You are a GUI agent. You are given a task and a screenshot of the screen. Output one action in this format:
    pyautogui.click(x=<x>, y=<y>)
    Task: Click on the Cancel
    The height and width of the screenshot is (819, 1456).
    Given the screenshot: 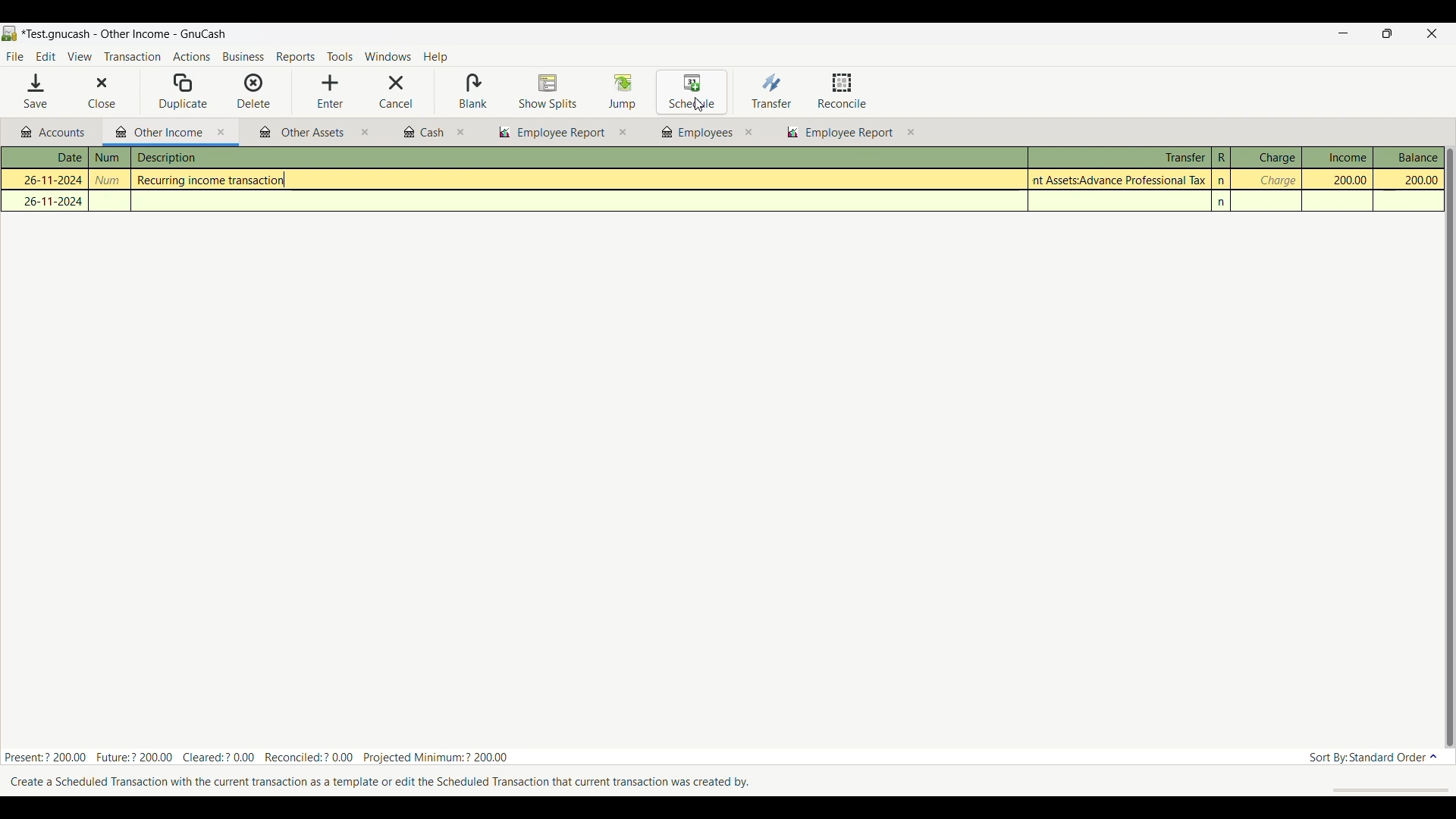 What is the action you would take?
    pyautogui.click(x=396, y=92)
    